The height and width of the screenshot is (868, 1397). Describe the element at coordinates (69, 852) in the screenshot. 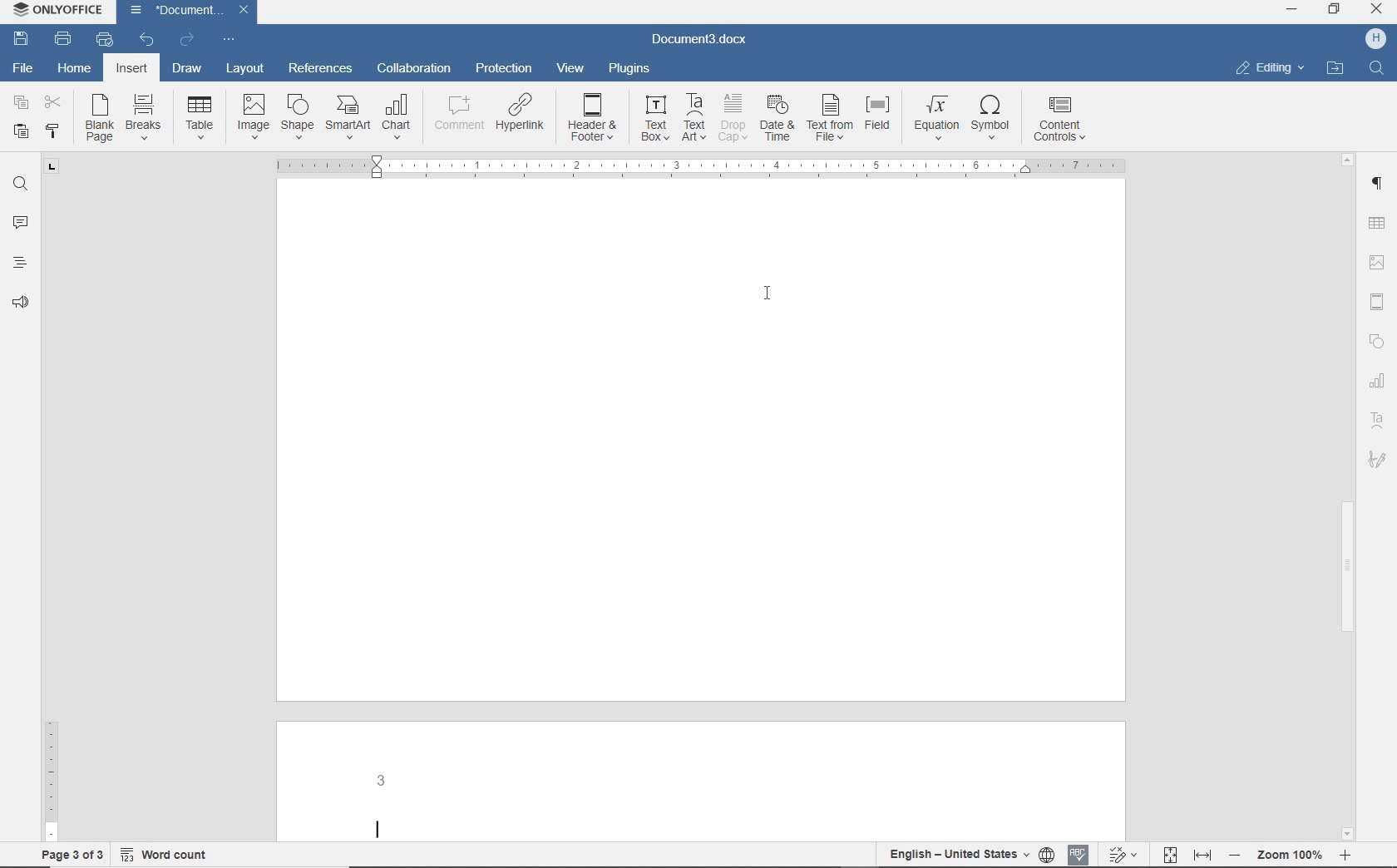

I see `PAGE 3 OF 3` at that location.